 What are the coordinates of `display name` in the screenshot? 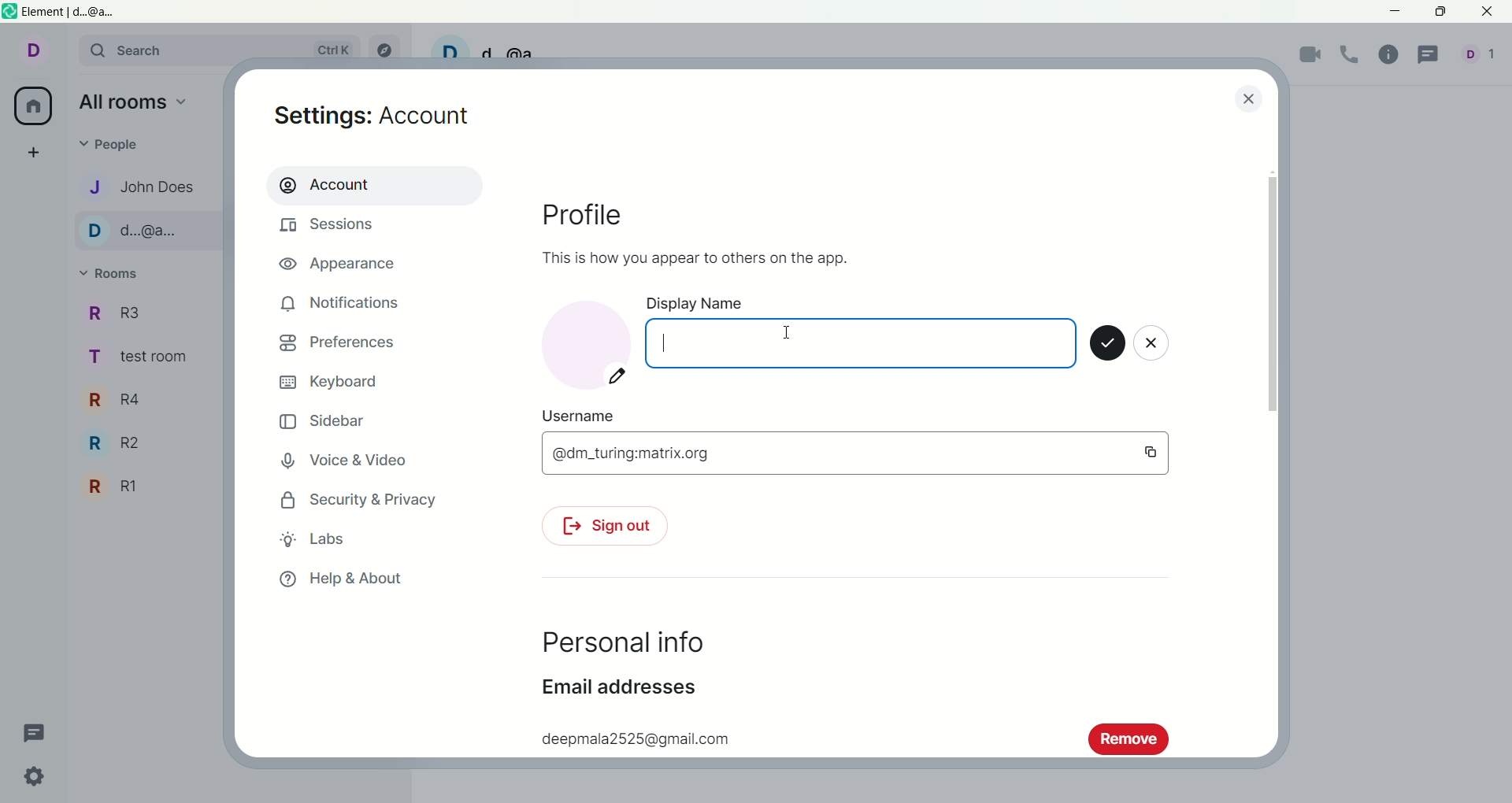 It's located at (859, 335).